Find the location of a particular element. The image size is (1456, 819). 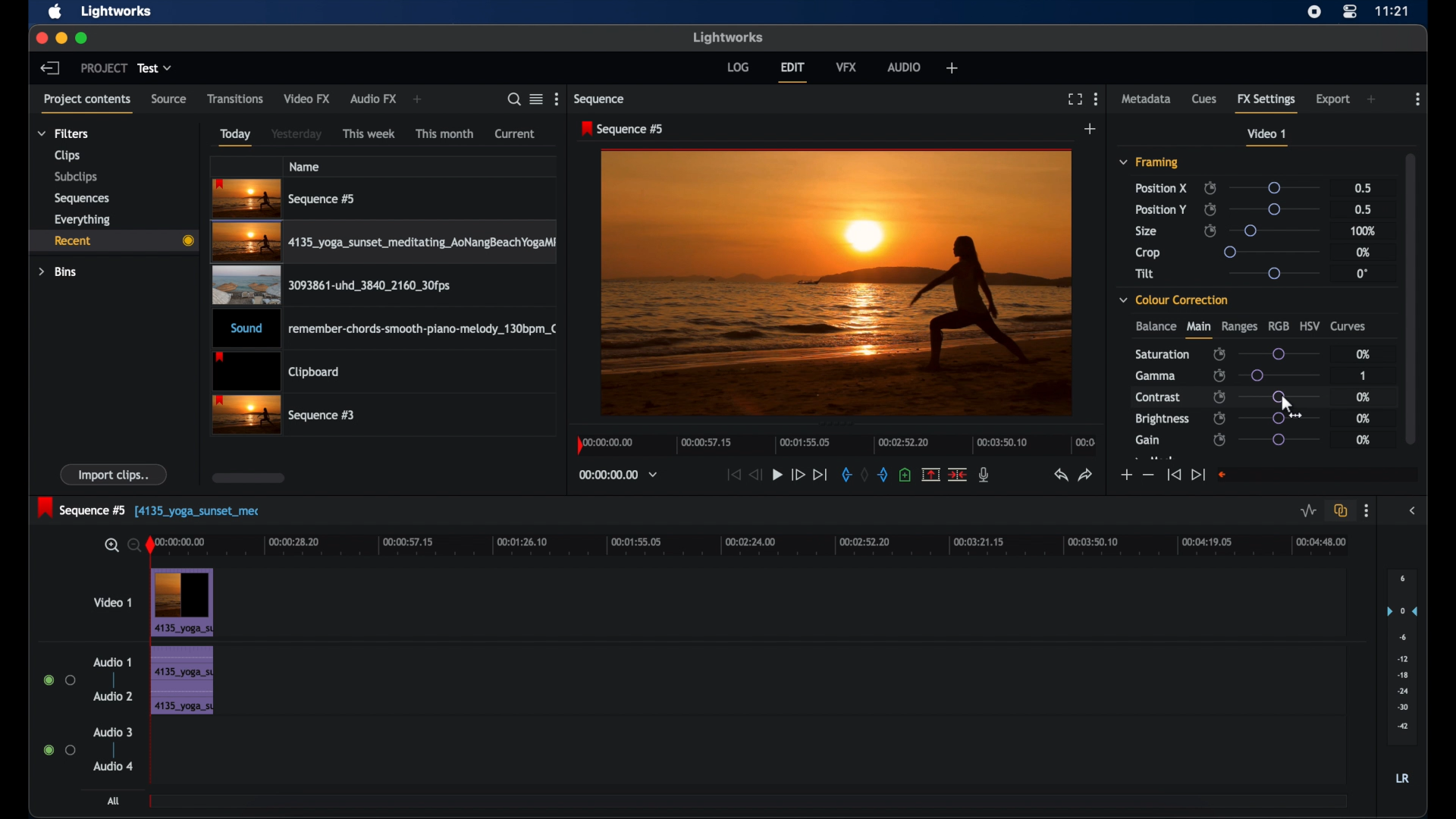

more options is located at coordinates (1366, 511).